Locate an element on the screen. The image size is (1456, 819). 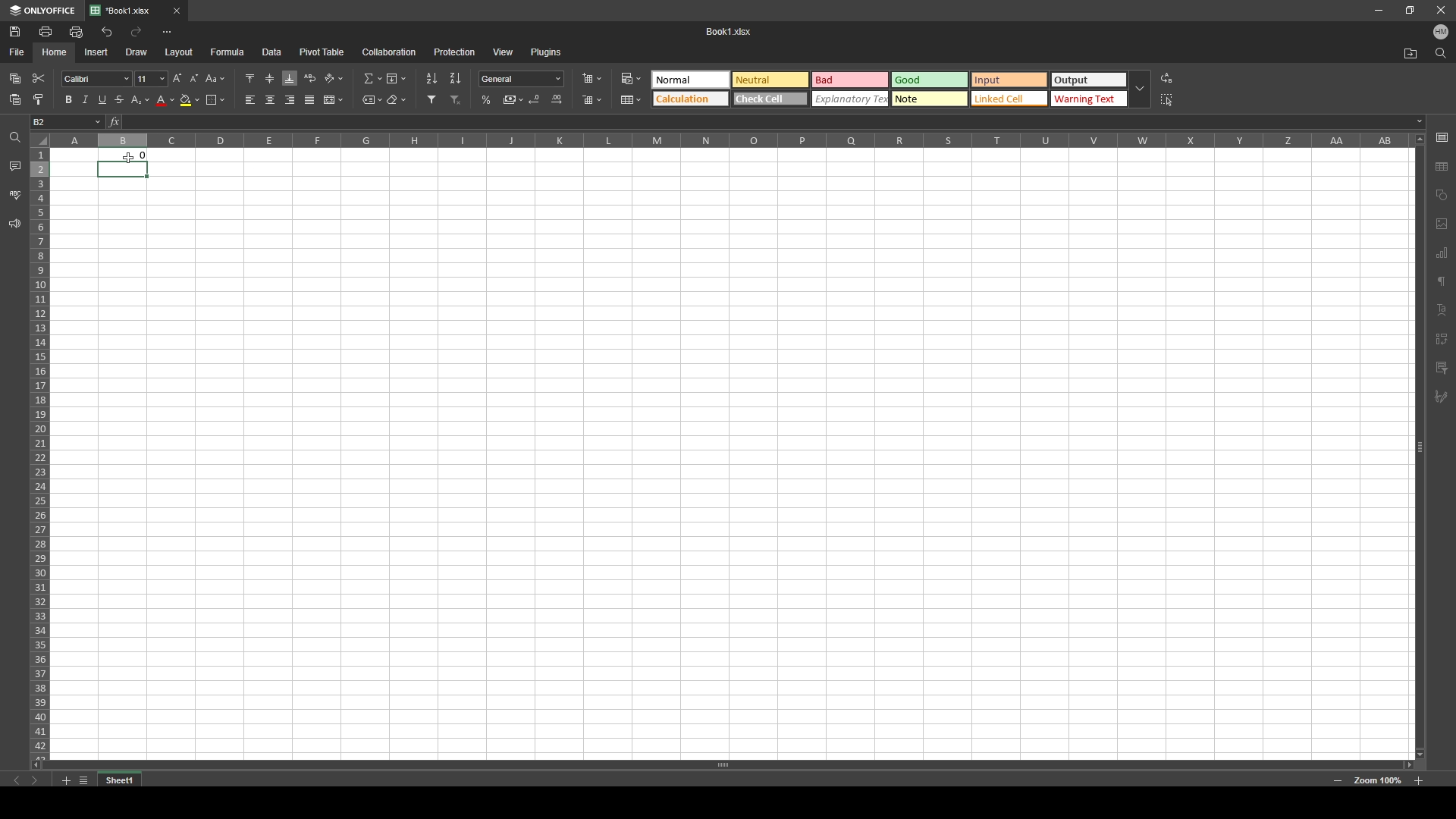
formula is located at coordinates (227, 52).